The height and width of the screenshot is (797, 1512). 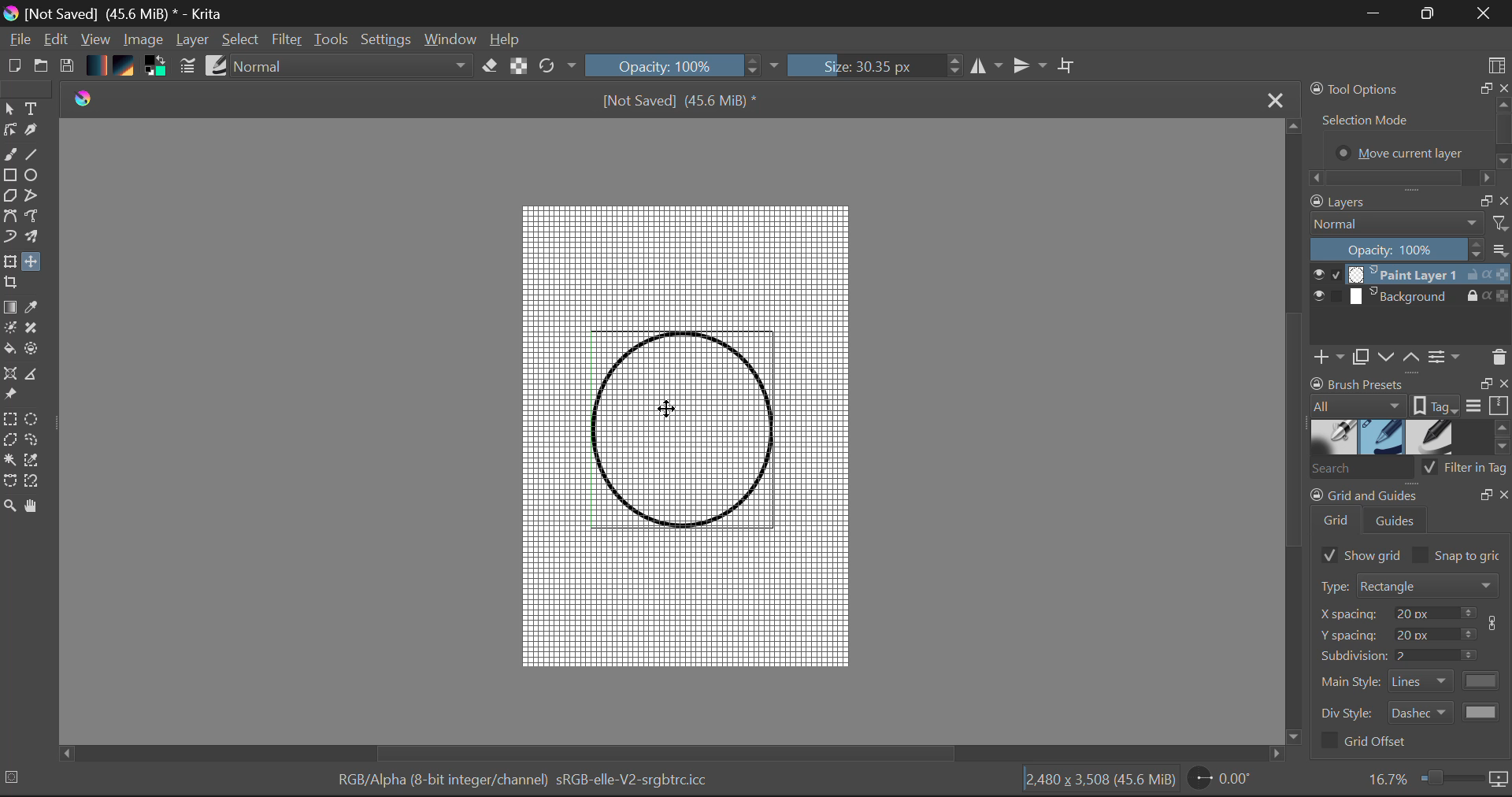 What do you see at coordinates (41, 67) in the screenshot?
I see `Open` at bounding box center [41, 67].